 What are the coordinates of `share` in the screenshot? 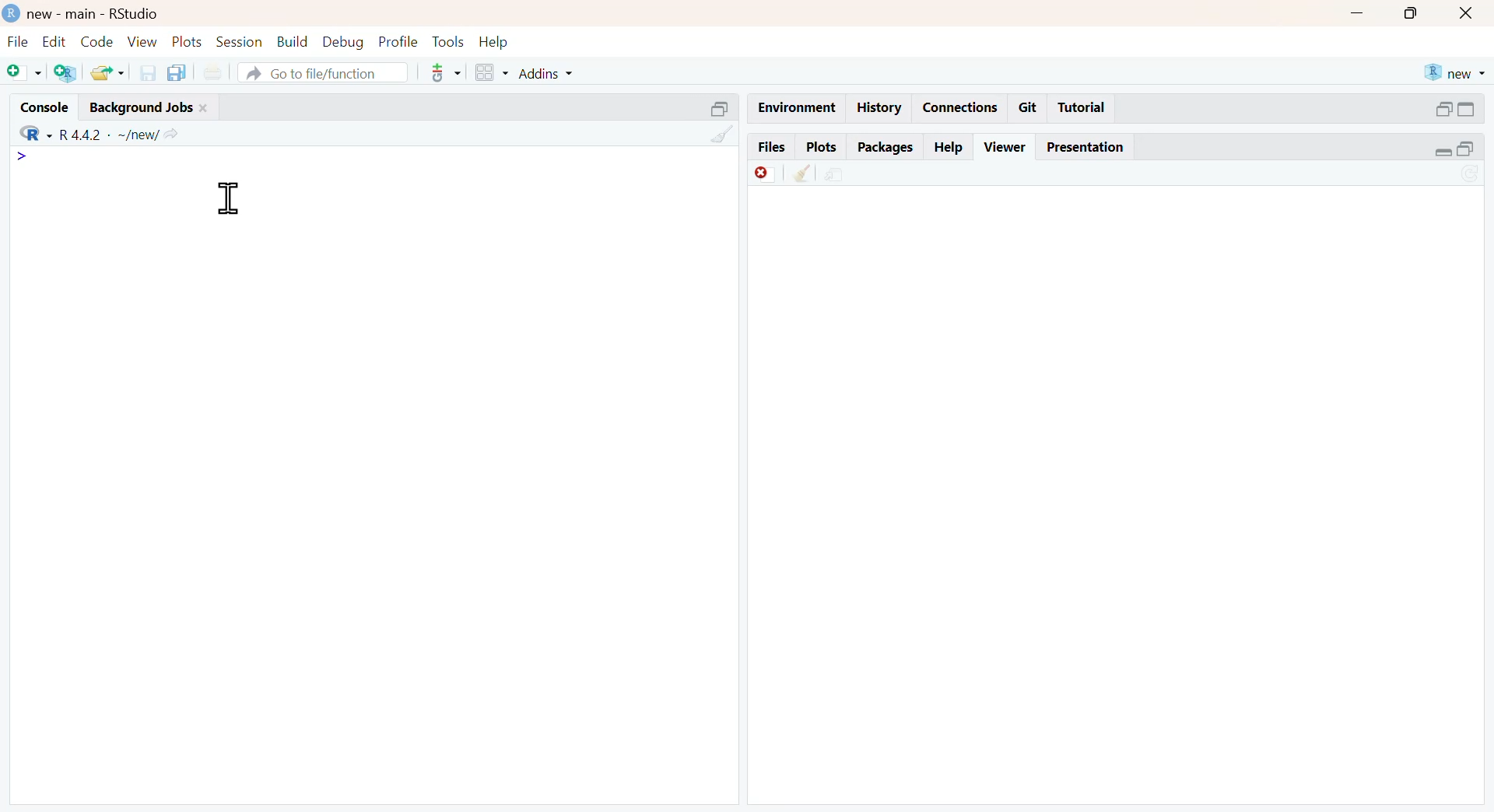 It's located at (835, 175).